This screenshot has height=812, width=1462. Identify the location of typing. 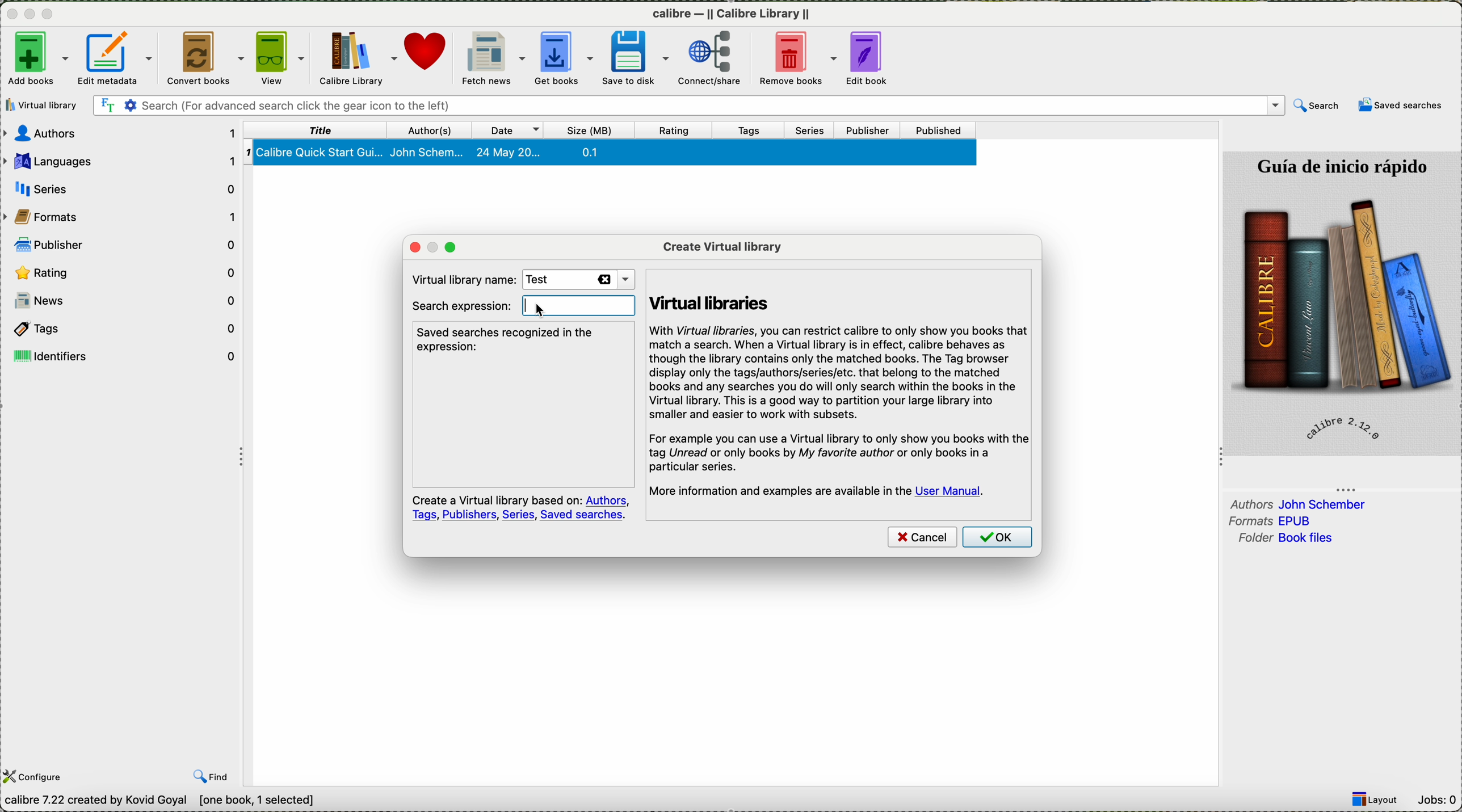
(550, 307).